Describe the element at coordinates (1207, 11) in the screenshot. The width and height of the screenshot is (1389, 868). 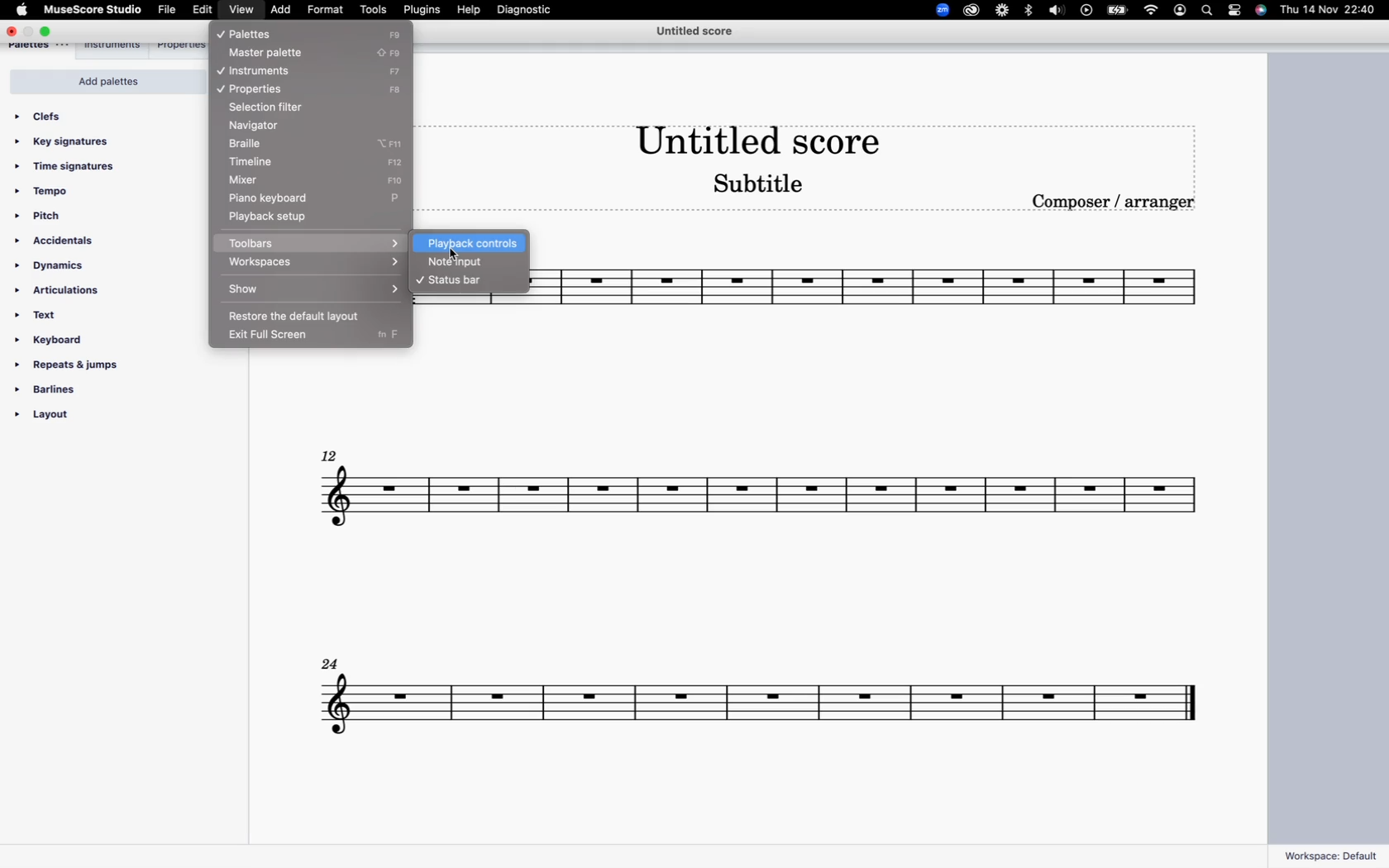
I see `search` at that location.